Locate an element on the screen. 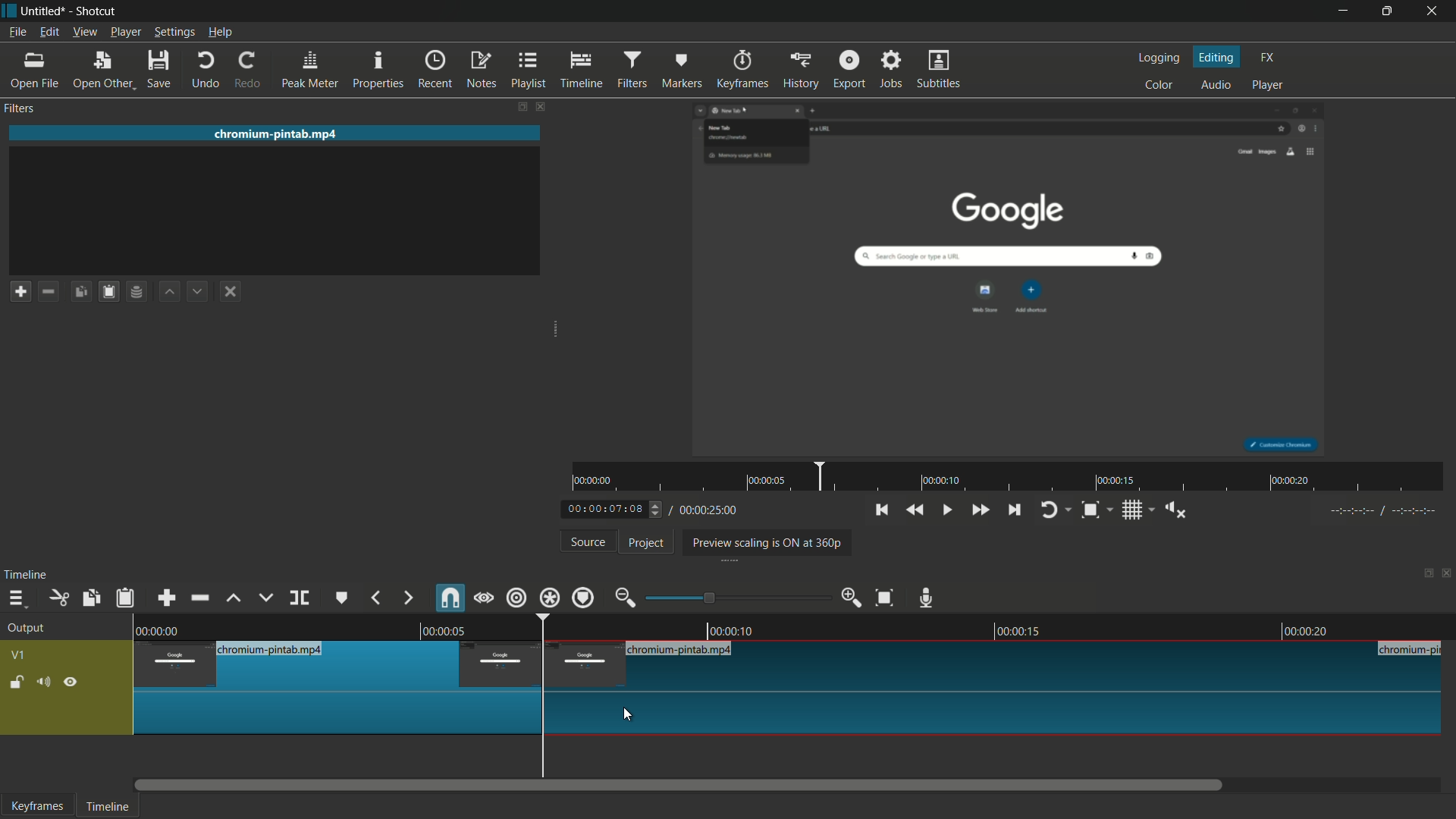 The height and width of the screenshot is (819, 1456). timeline is located at coordinates (26, 575).